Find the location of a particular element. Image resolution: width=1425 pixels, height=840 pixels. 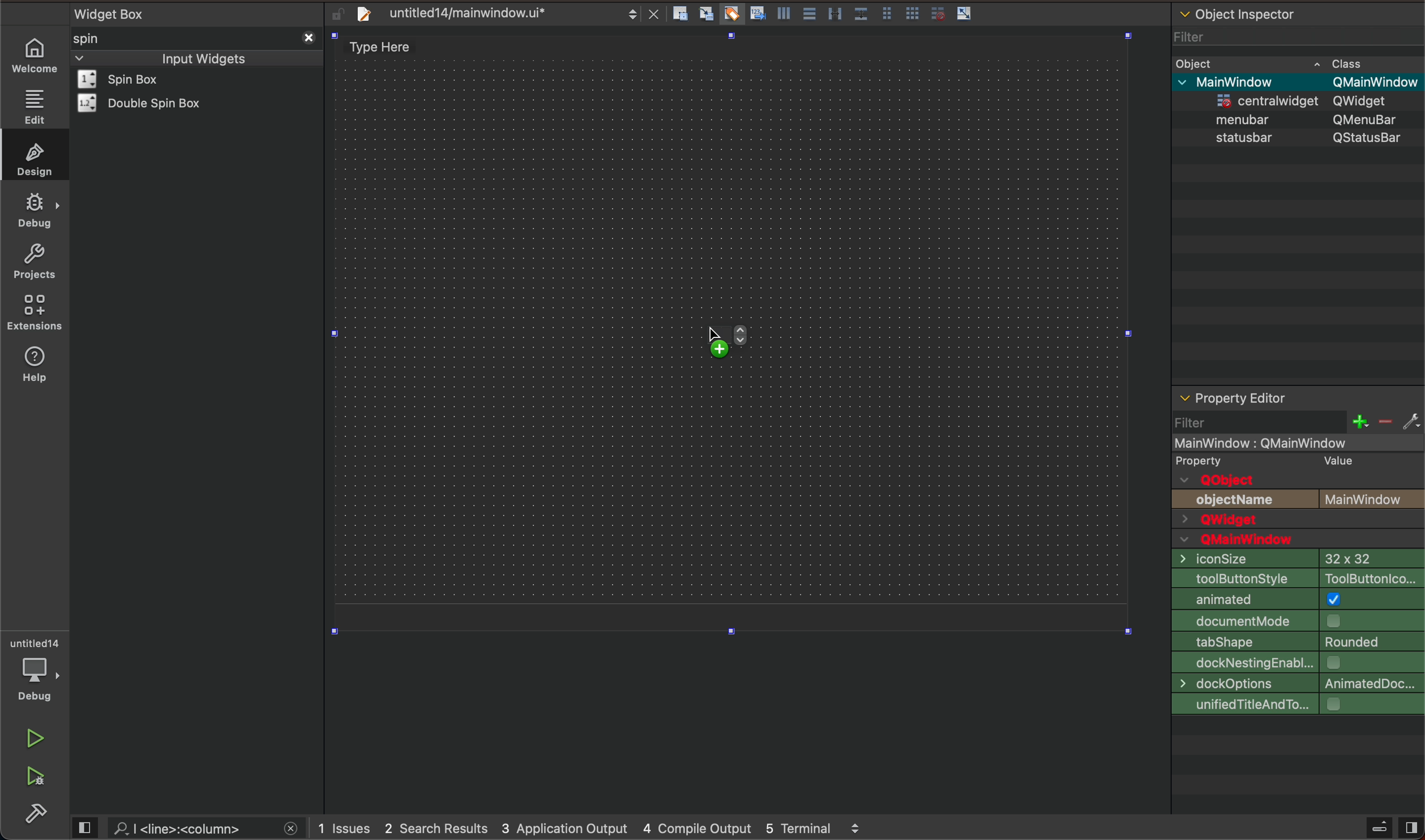

icon size is located at coordinates (1294, 558).